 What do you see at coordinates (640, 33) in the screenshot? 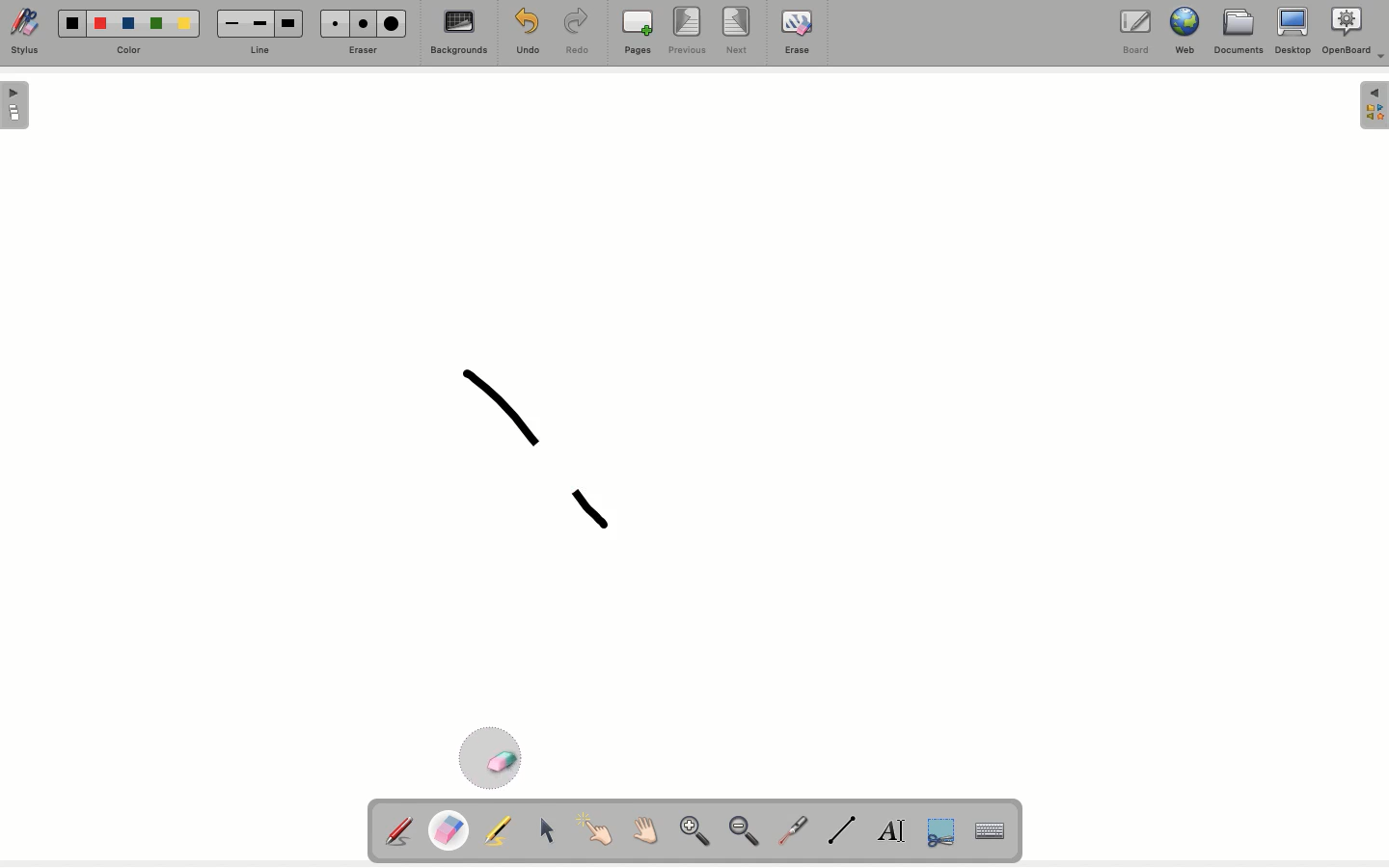
I see `Pages` at bounding box center [640, 33].